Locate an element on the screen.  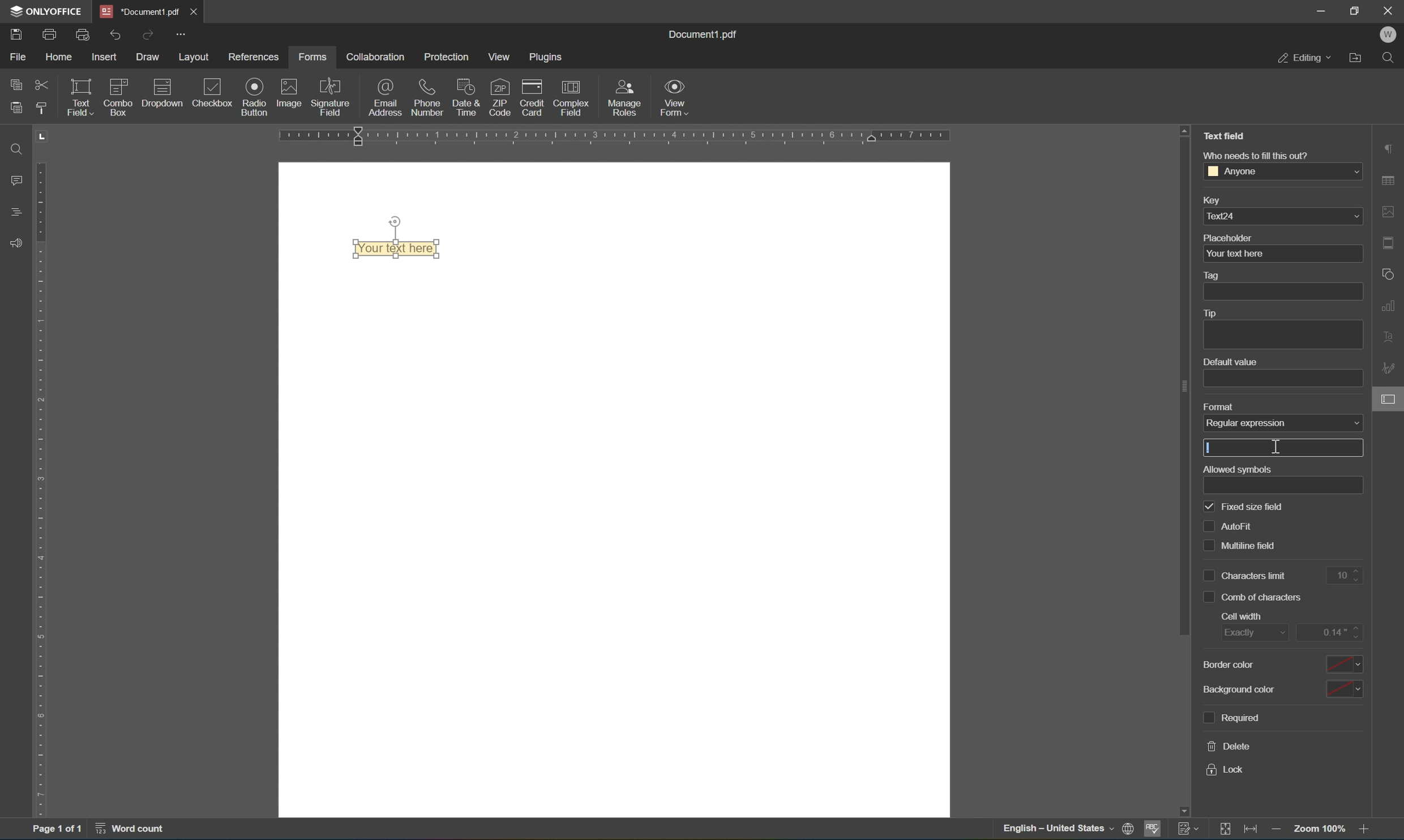
who needs to fill this out? is located at coordinates (1255, 155).